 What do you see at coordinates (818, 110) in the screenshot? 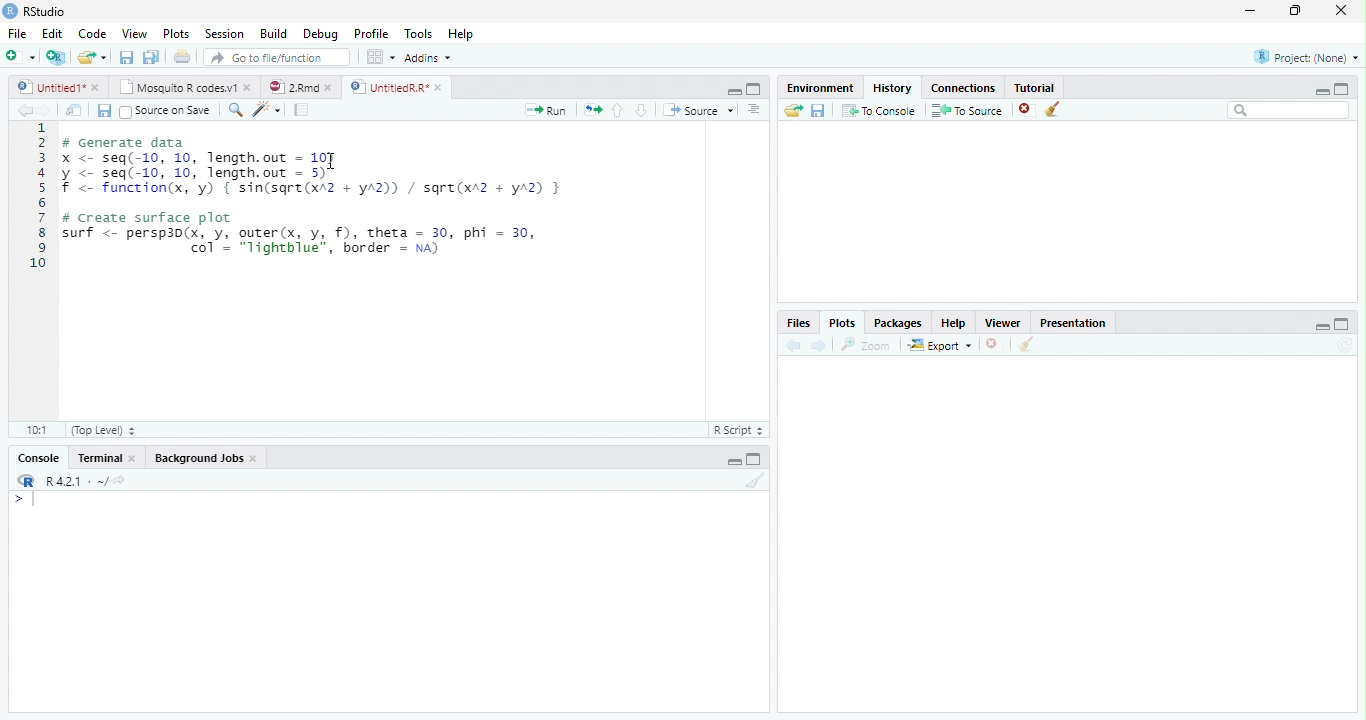
I see `Save history into a file` at bounding box center [818, 110].